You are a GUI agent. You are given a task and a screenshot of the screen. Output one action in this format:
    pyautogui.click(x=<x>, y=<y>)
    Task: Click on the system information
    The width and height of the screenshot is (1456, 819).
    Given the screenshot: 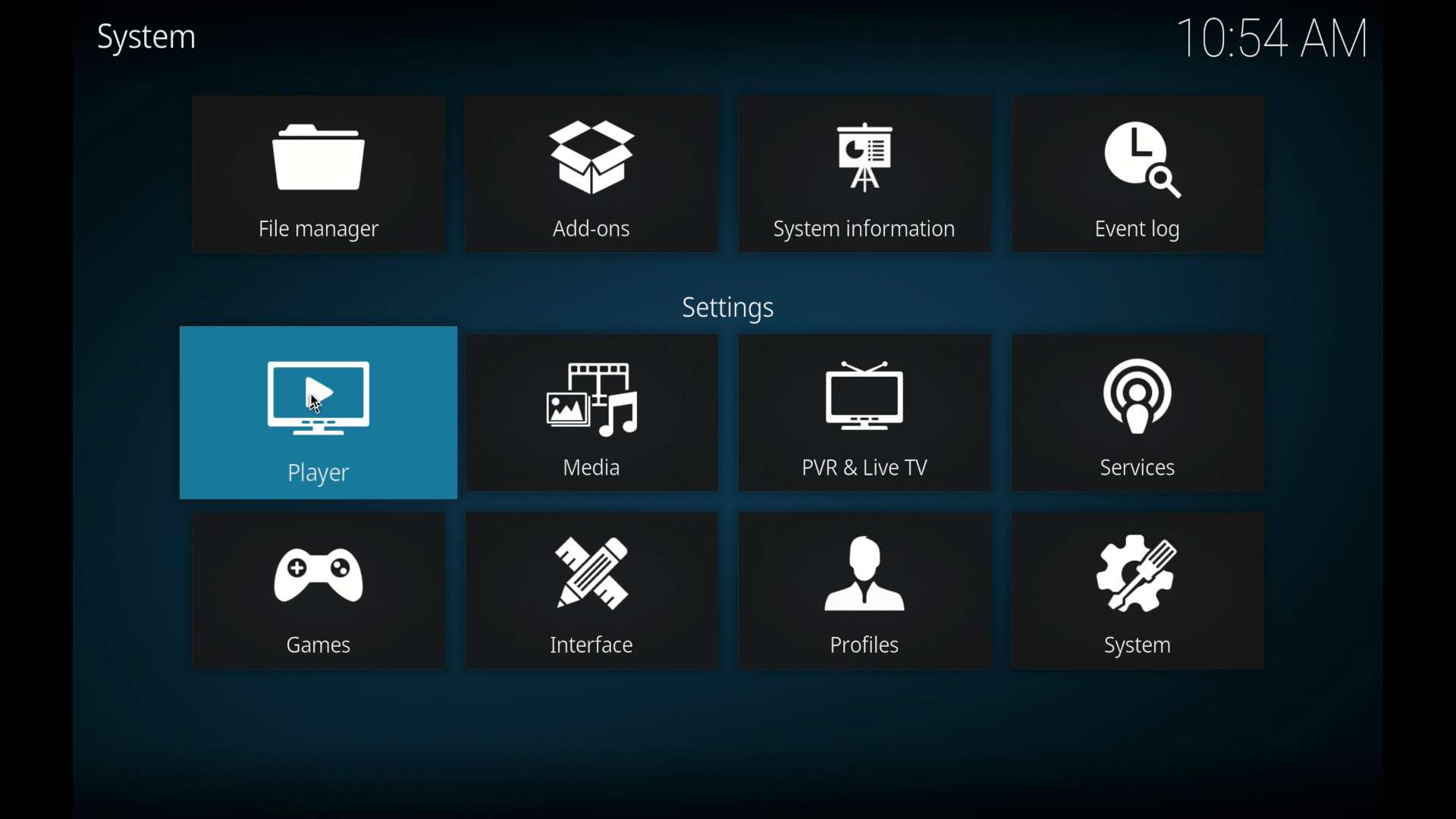 What is the action you would take?
    pyautogui.click(x=865, y=174)
    